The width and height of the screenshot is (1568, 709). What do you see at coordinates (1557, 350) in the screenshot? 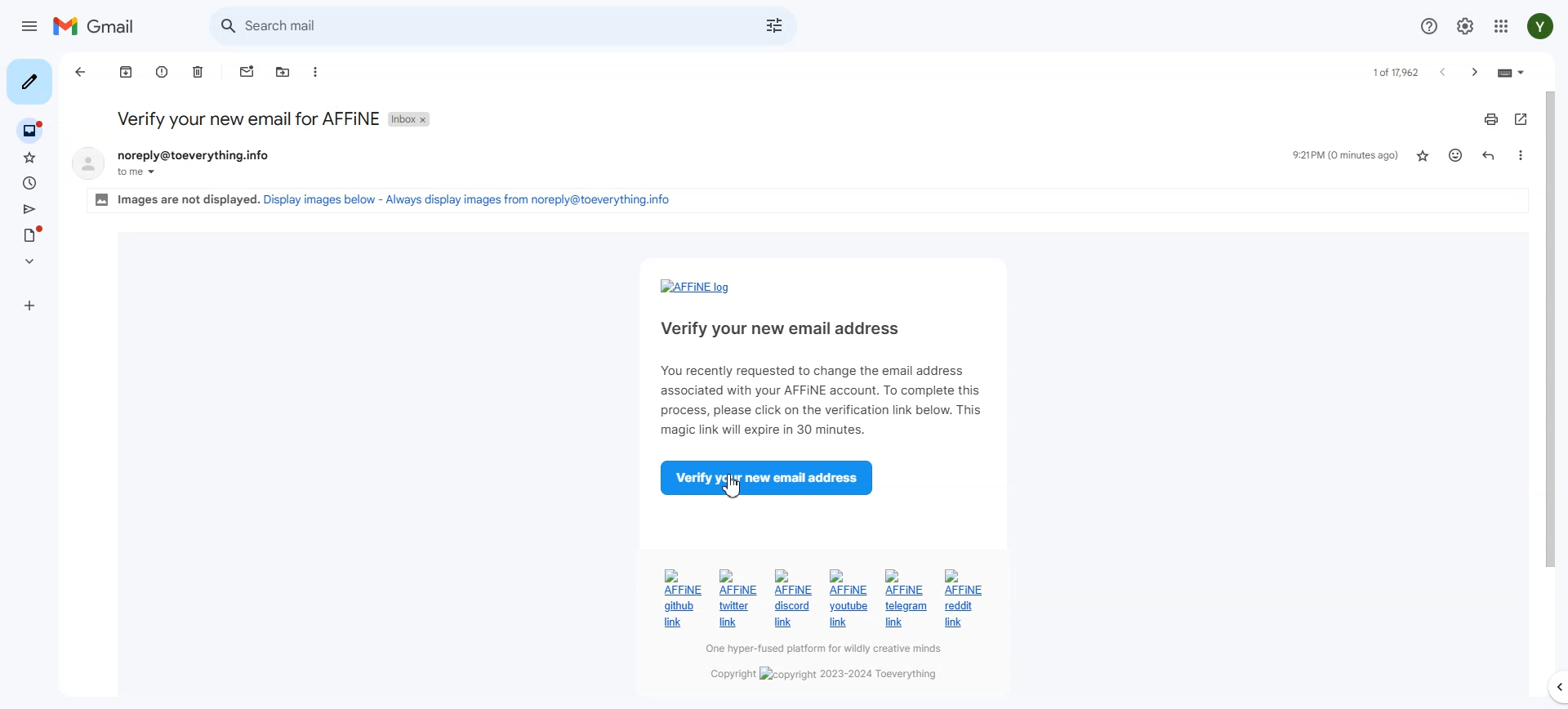
I see `vertical scroll bar` at bounding box center [1557, 350].